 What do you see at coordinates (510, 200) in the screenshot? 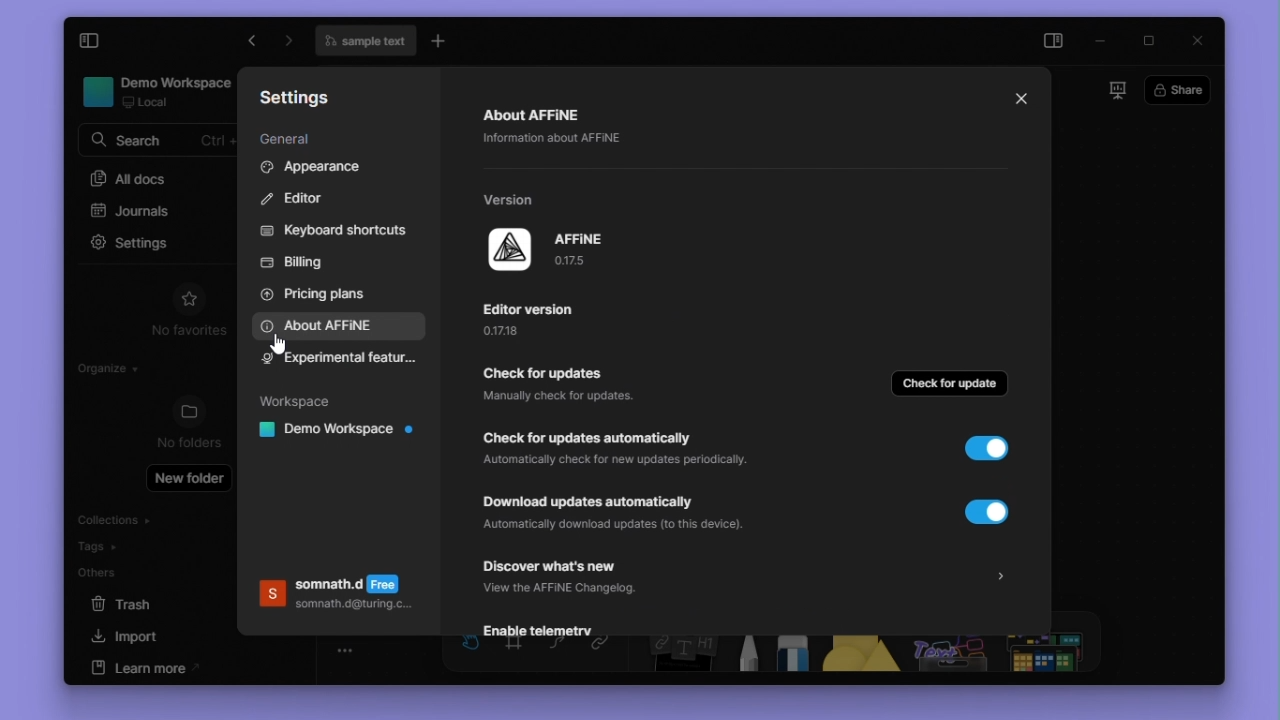
I see `version` at bounding box center [510, 200].